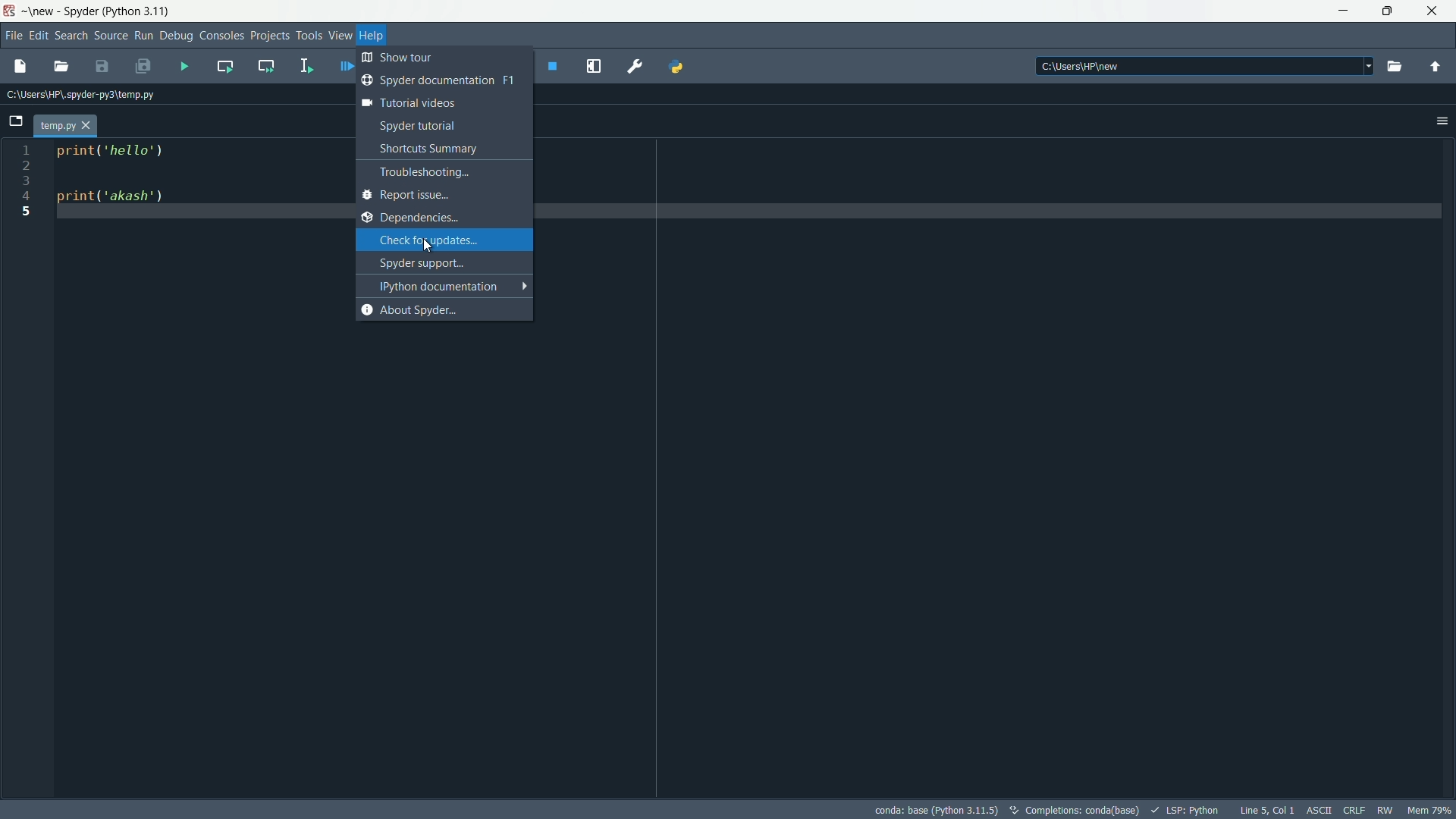 This screenshot has height=819, width=1456. I want to click on new file , so click(20, 65).